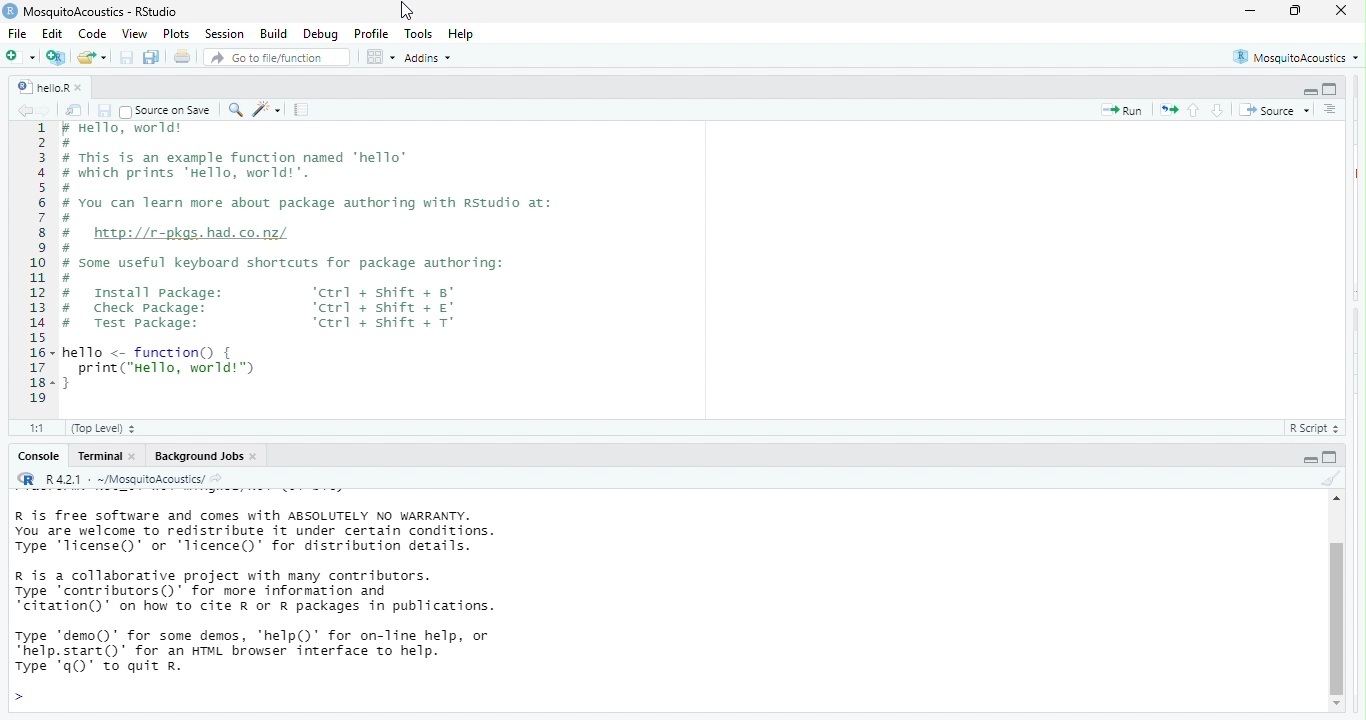  I want to click on create a project, so click(55, 55).